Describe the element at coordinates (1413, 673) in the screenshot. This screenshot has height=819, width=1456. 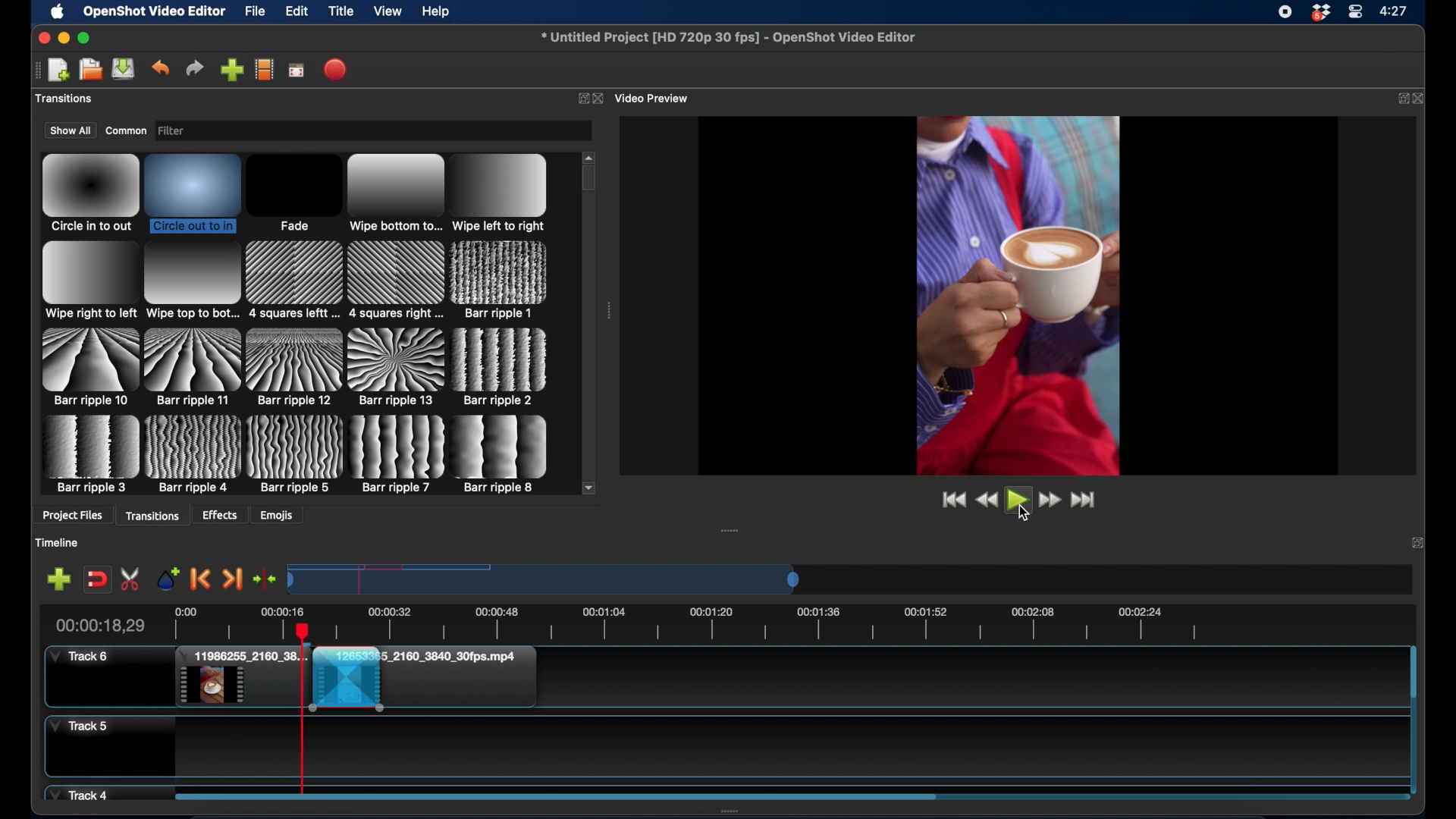
I see `scroll bar` at that location.